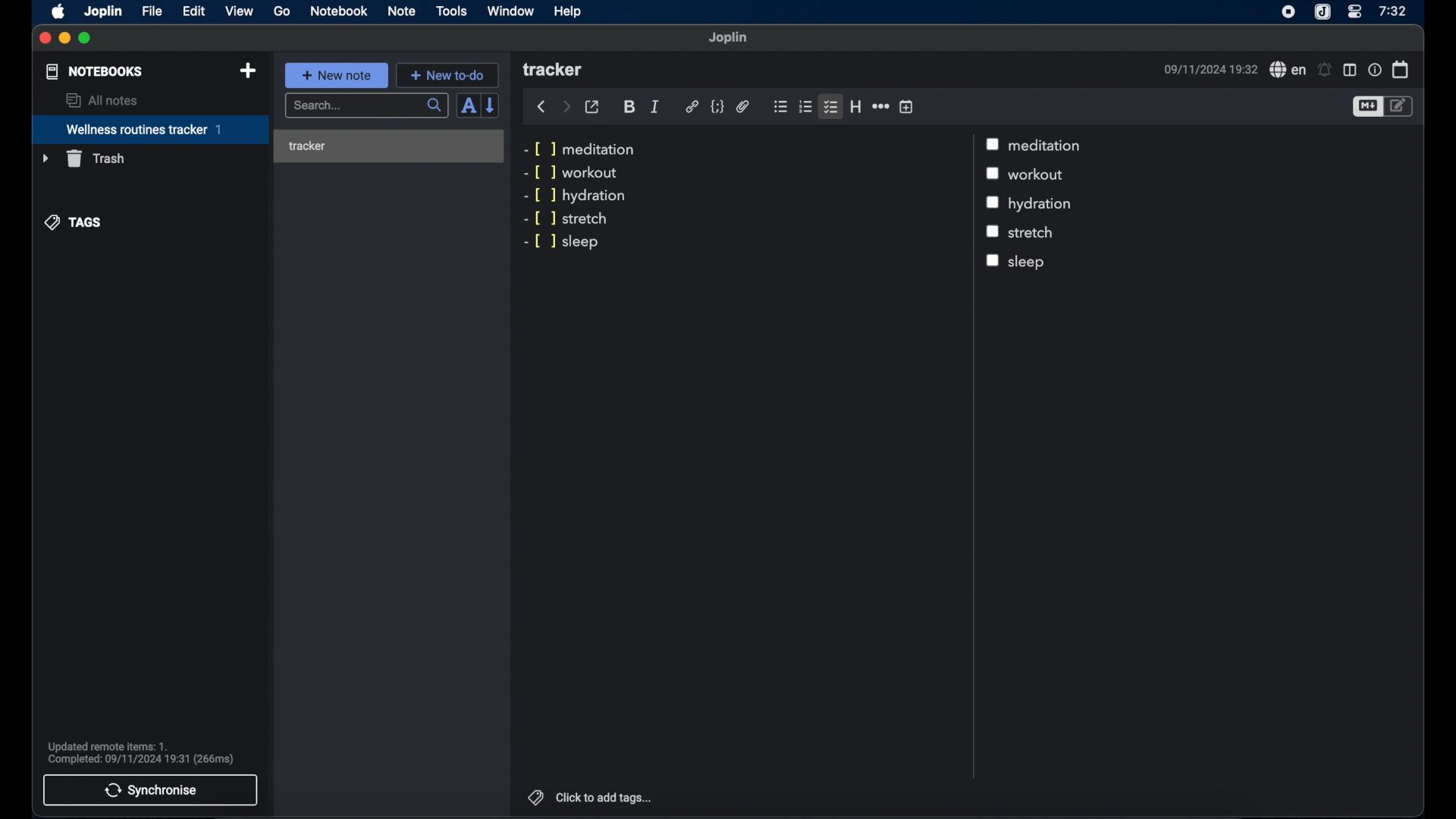 The height and width of the screenshot is (819, 1456). I want to click on bulleted list, so click(780, 107).